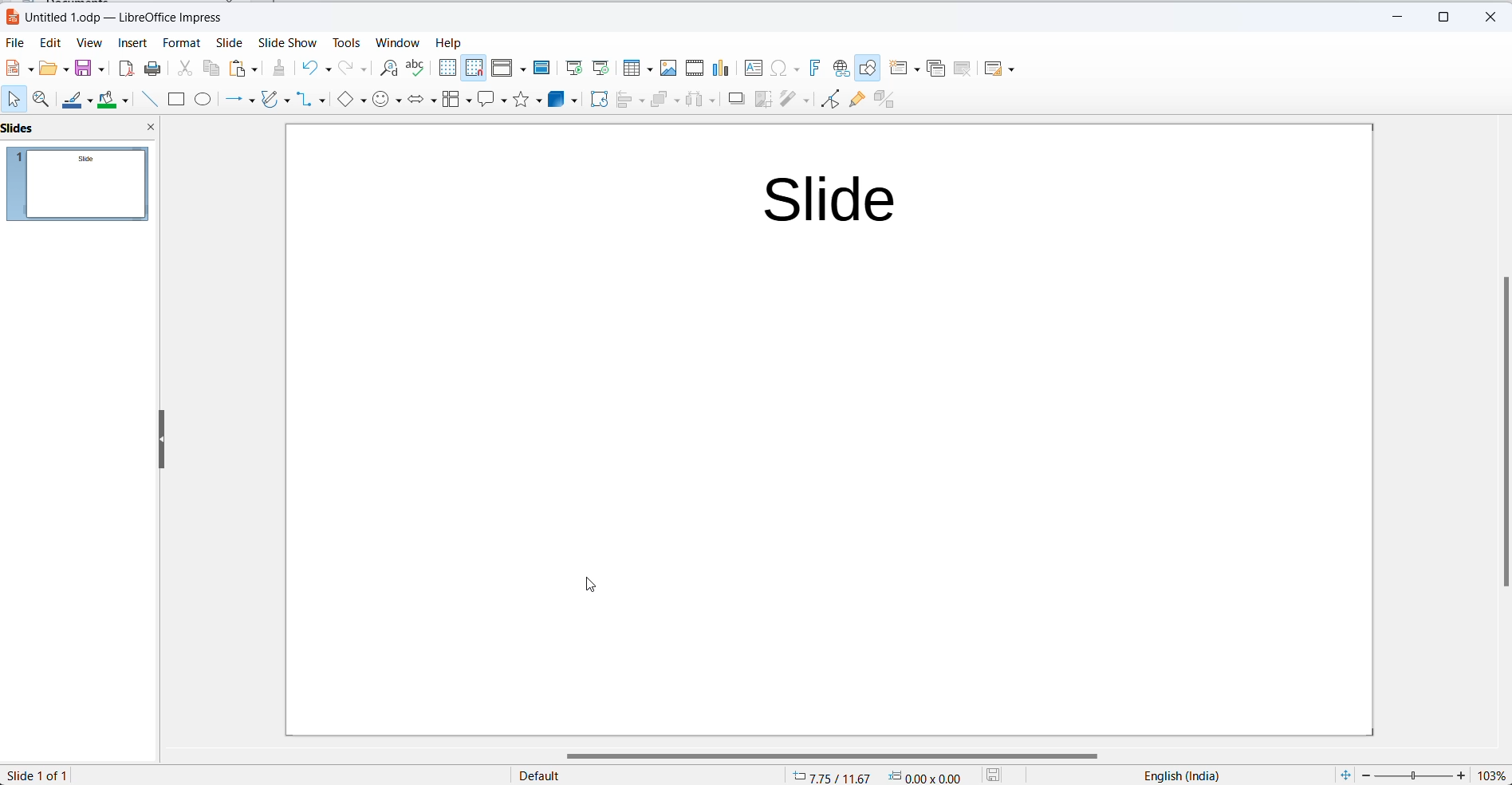 The height and width of the screenshot is (785, 1512). What do you see at coordinates (54, 69) in the screenshot?
I see `Open options` at bounding box center [54, 69].